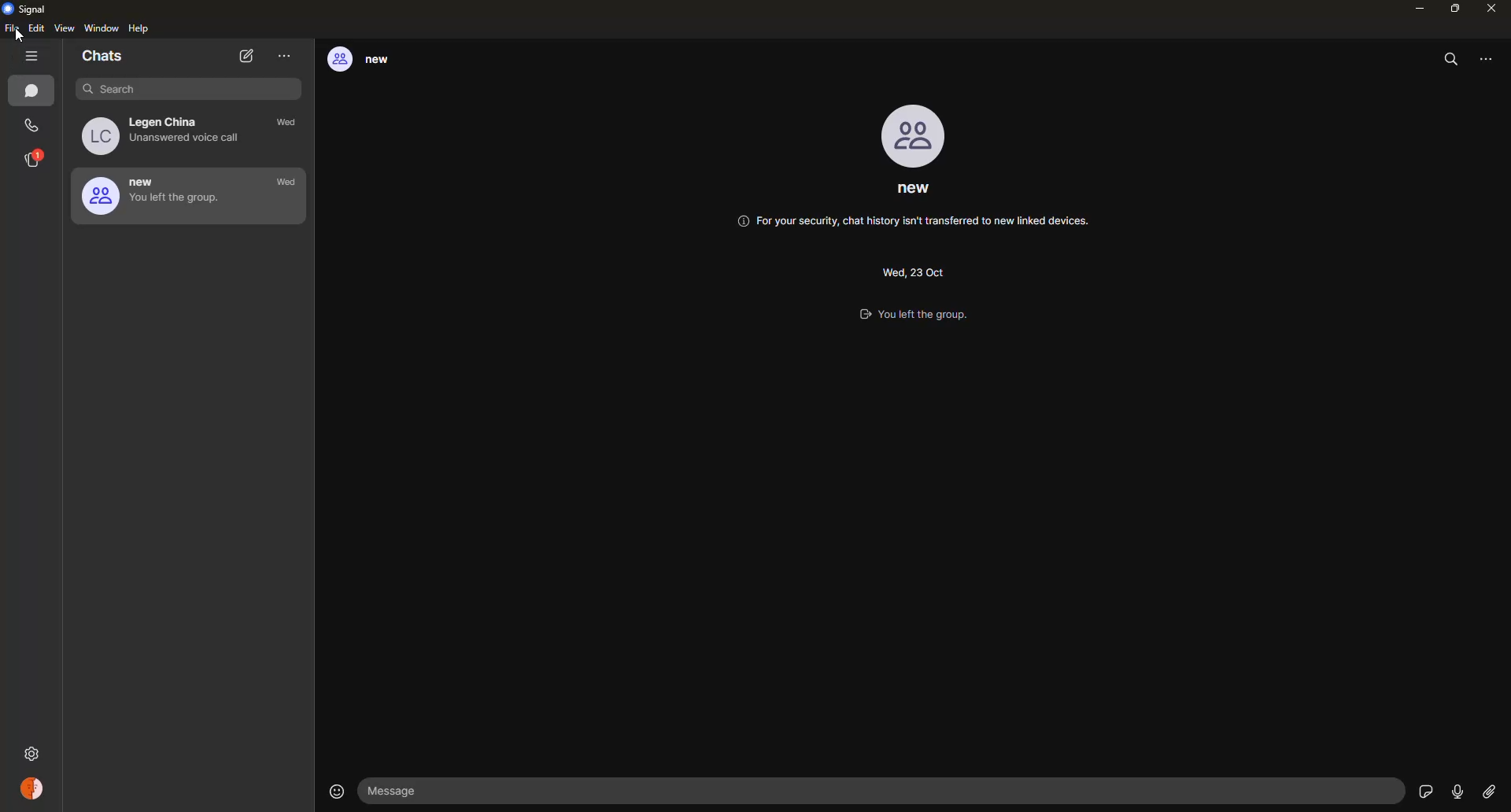  What do you see at coordinates (33, 126) in the screenshot?
I see `calls` at bounding box center [33, 126].